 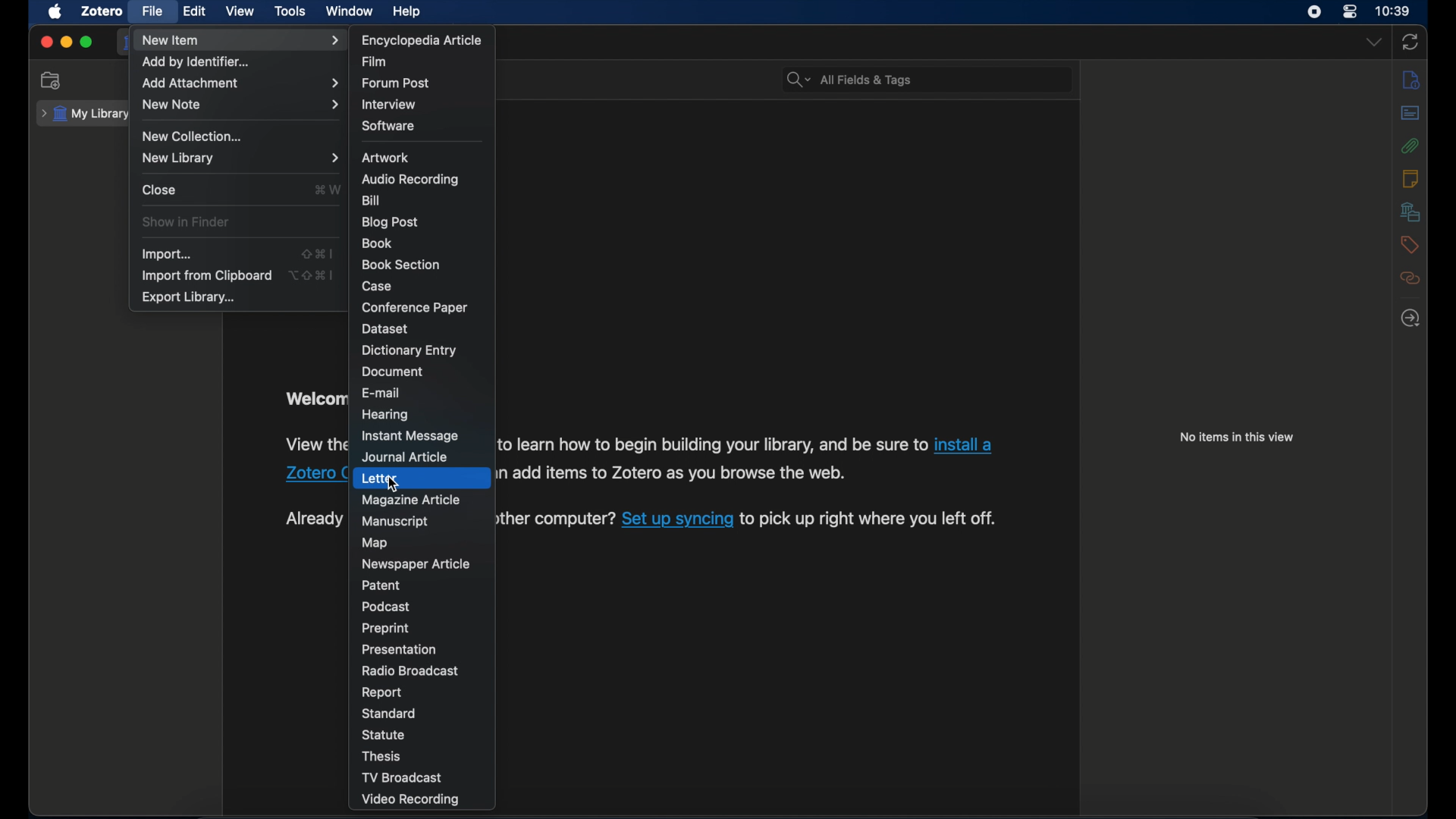 I want to click on related, so click(x=1411, y=278).